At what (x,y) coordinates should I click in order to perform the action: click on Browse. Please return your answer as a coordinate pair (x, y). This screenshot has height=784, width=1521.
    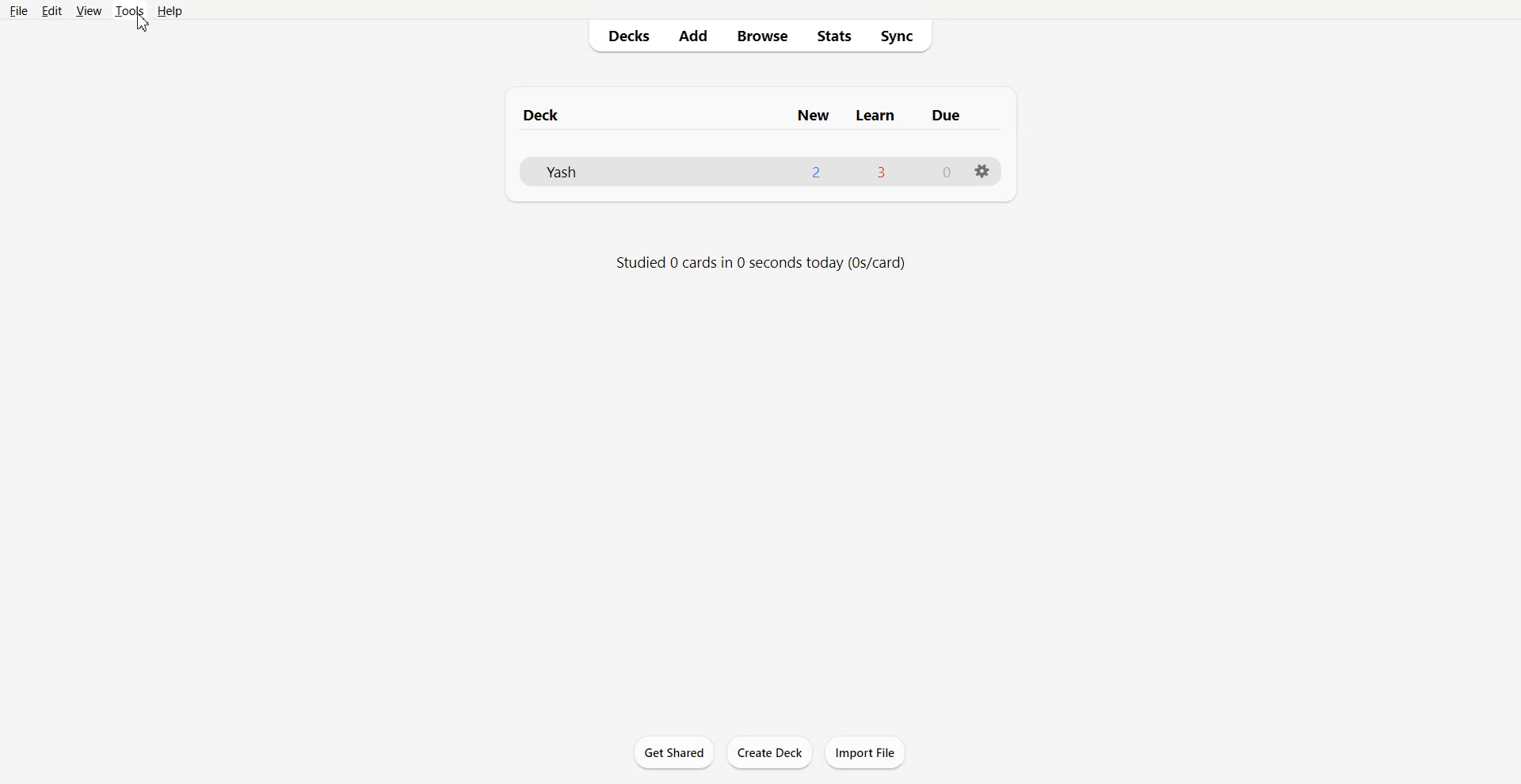
    Looking at the image, I should click on (763, 36).